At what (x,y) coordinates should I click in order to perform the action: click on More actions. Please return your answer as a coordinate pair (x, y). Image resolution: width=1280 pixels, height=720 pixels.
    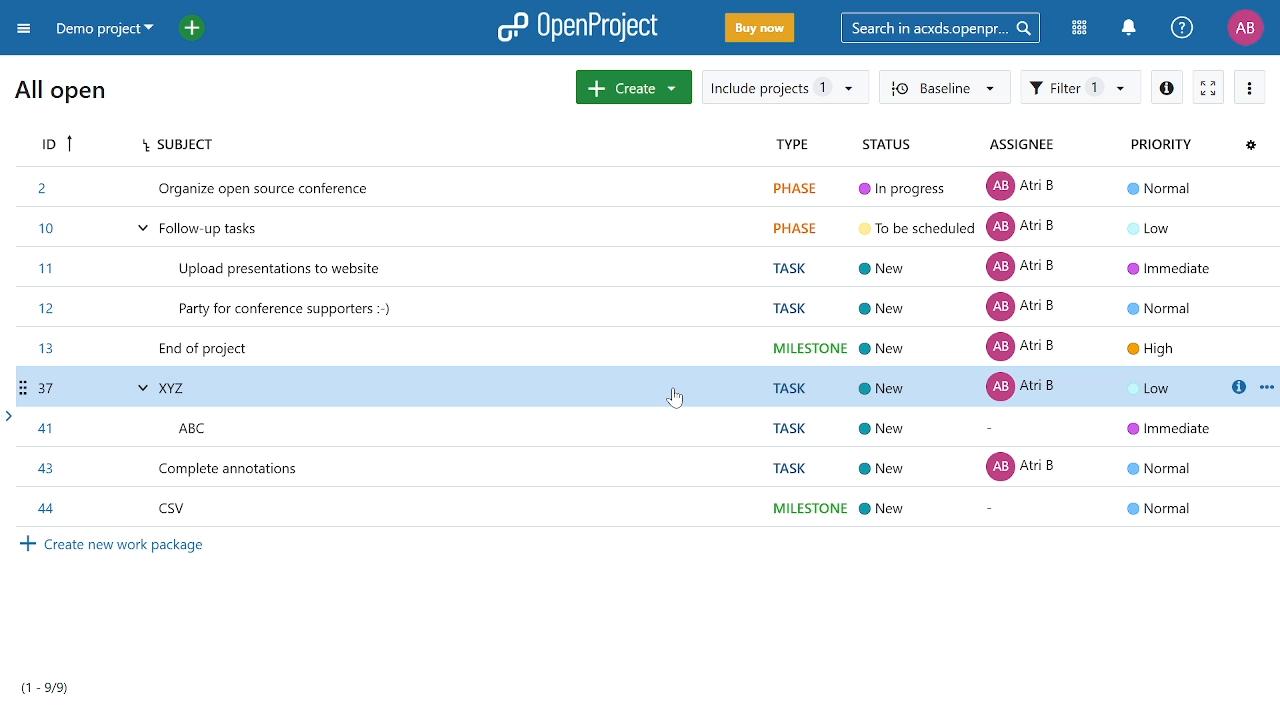
    Looking at the image, I should click on (1250, 89).